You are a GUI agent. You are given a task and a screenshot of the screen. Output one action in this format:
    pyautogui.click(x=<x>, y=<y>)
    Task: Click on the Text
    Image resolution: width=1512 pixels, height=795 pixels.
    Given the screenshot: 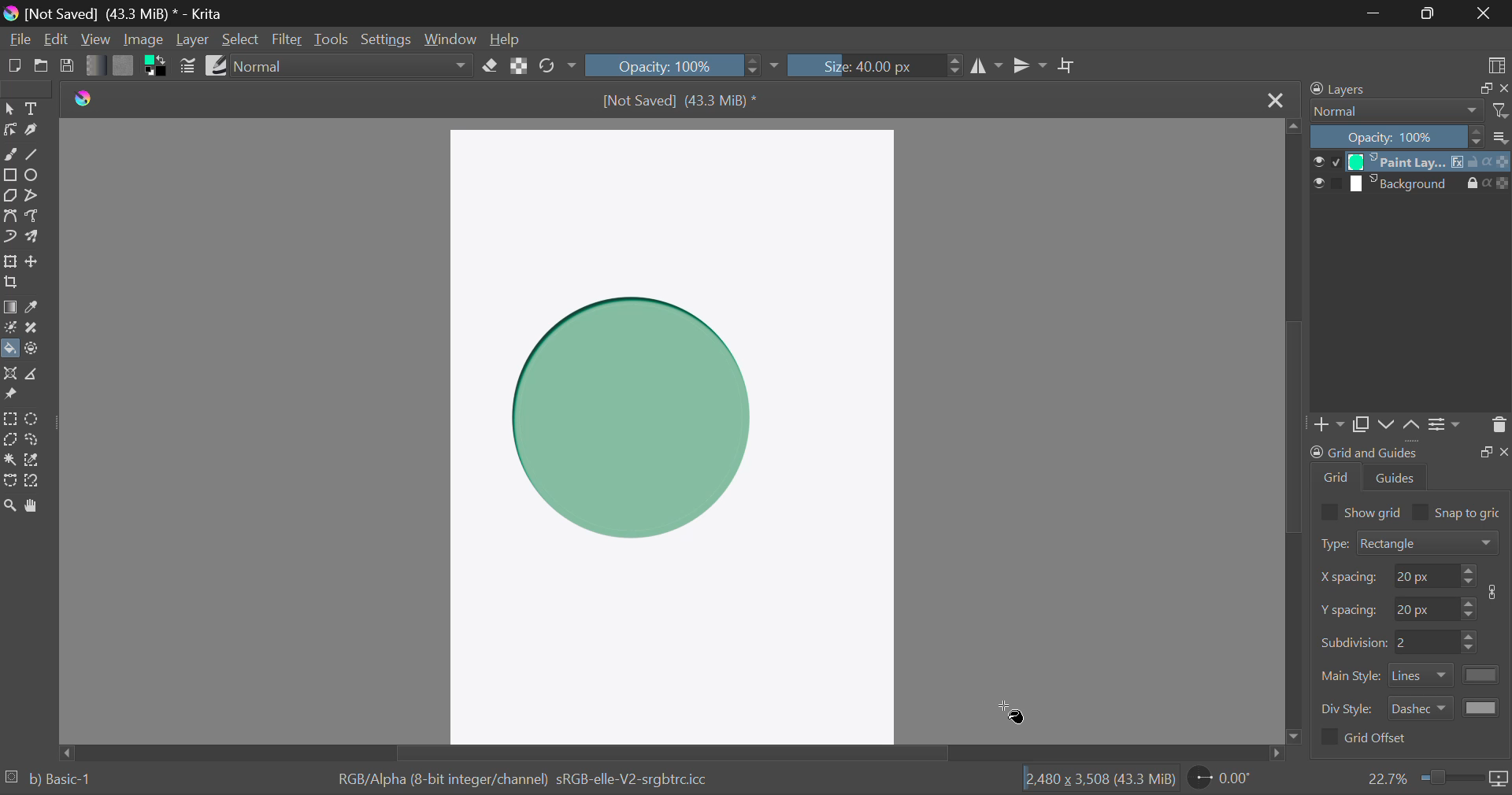 What is the action you would take?
    pyautogui.click(x=31, y=109)
    